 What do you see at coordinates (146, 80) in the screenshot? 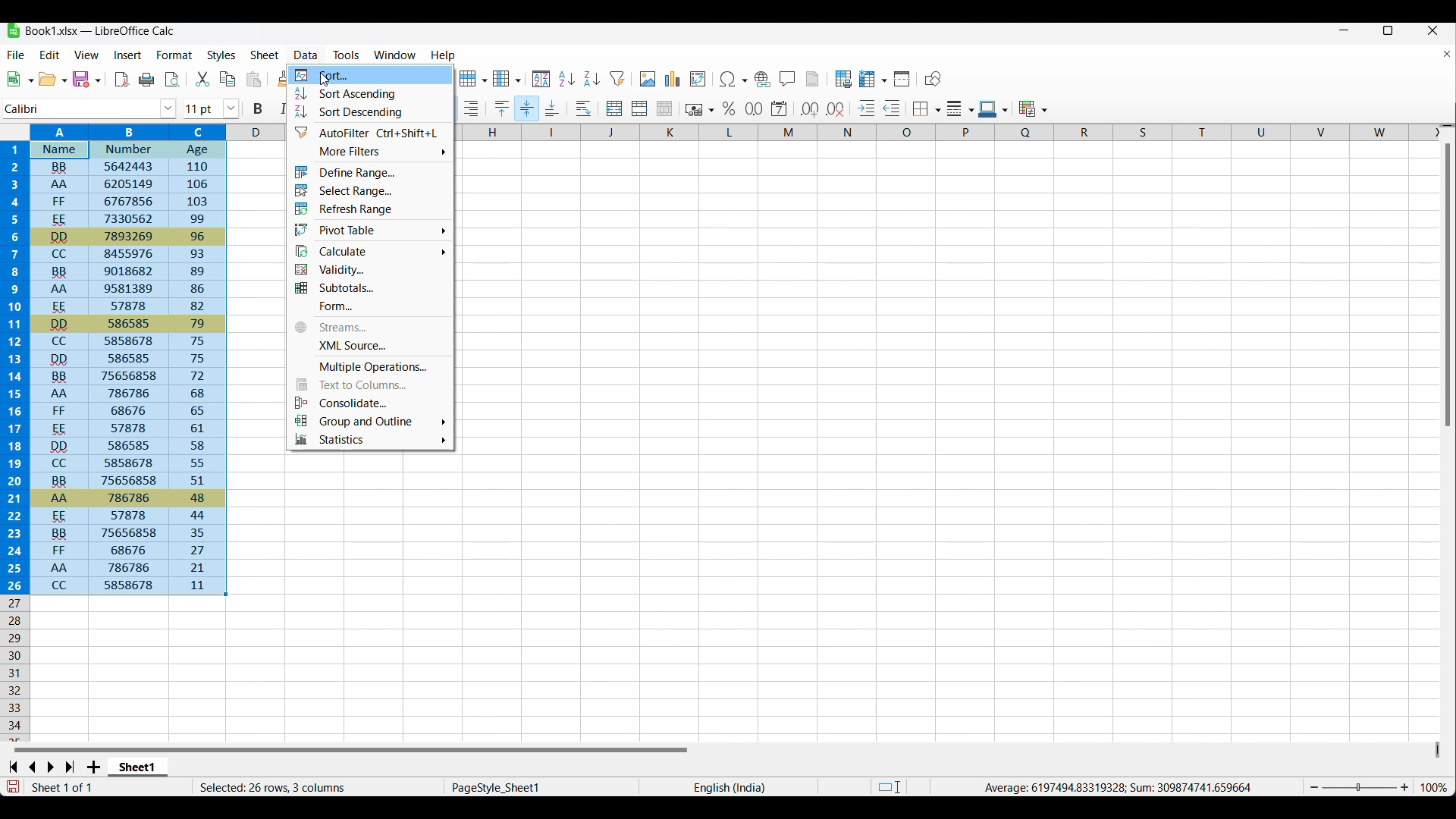
I see `Print` at bounding box center [146, 80].